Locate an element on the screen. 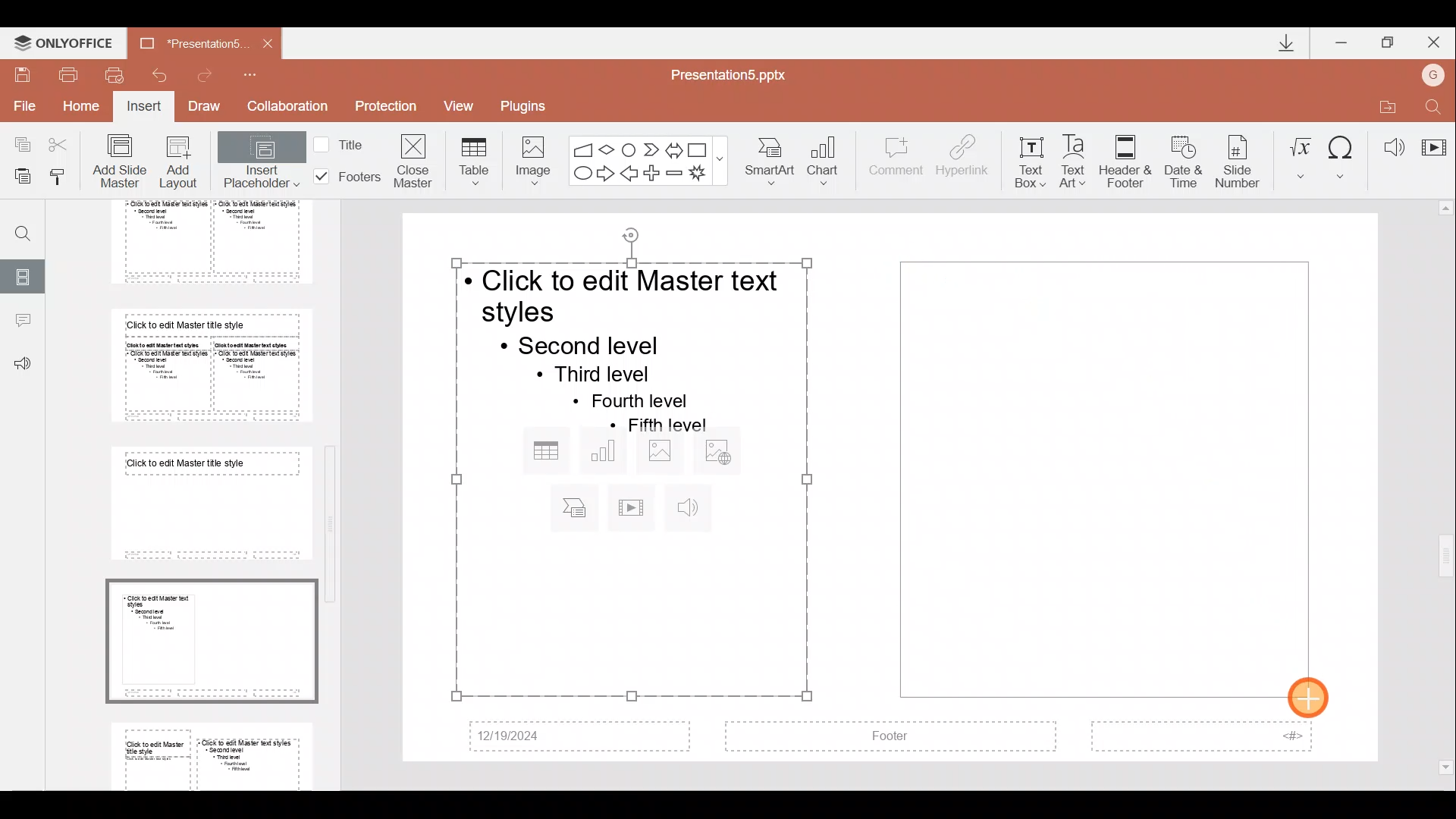 This screenshot has height=819, width=1456. Image is located at coordinates (529, 158).